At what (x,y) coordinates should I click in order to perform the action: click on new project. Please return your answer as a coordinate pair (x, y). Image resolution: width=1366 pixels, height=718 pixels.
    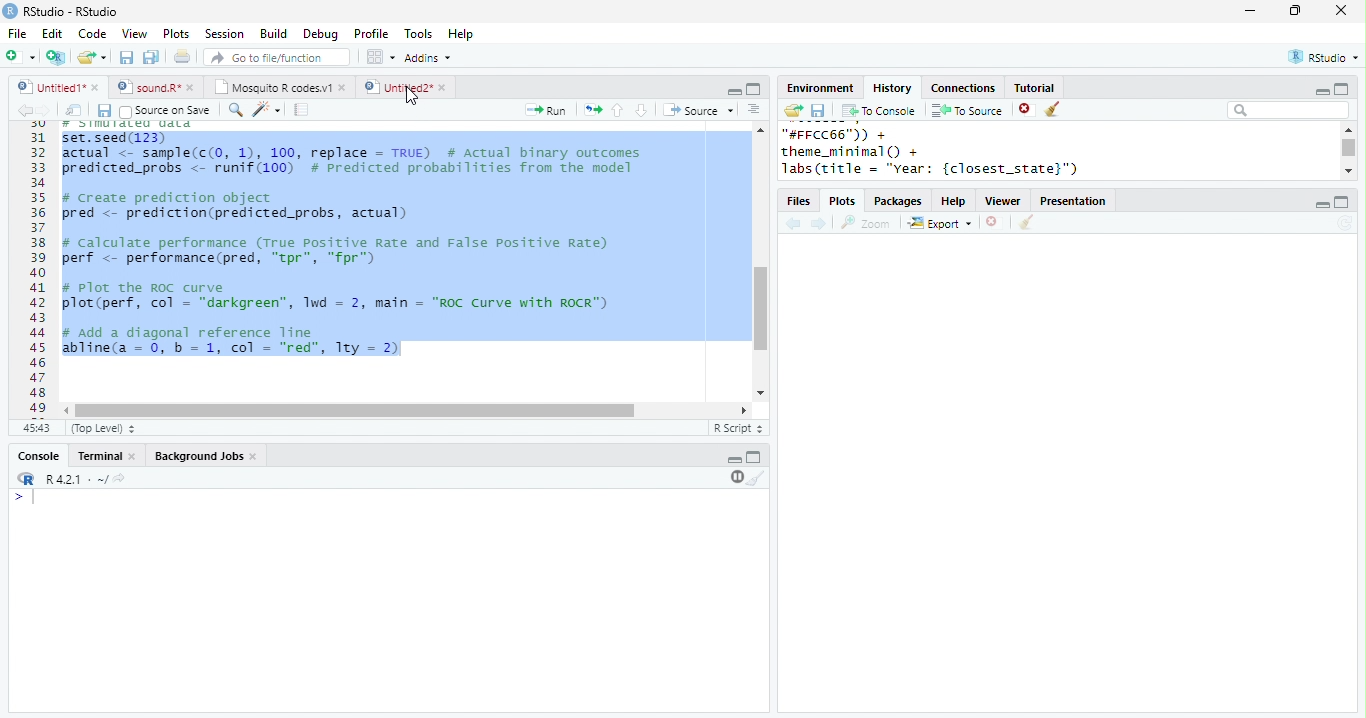
    Looking at the image, I should click on (57, 57).